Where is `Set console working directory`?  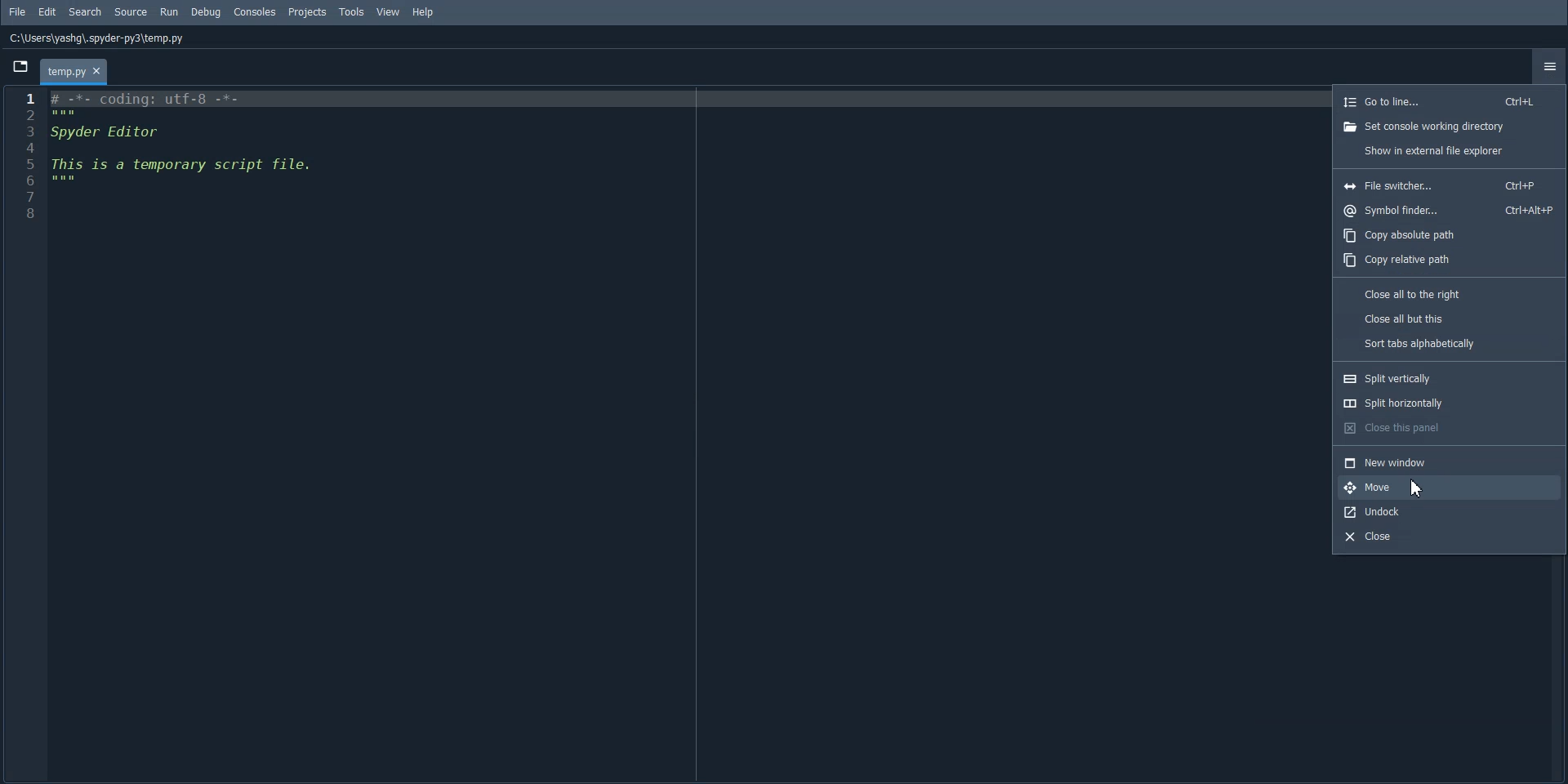 Set console working directory is located at coordinates (1448, 126).